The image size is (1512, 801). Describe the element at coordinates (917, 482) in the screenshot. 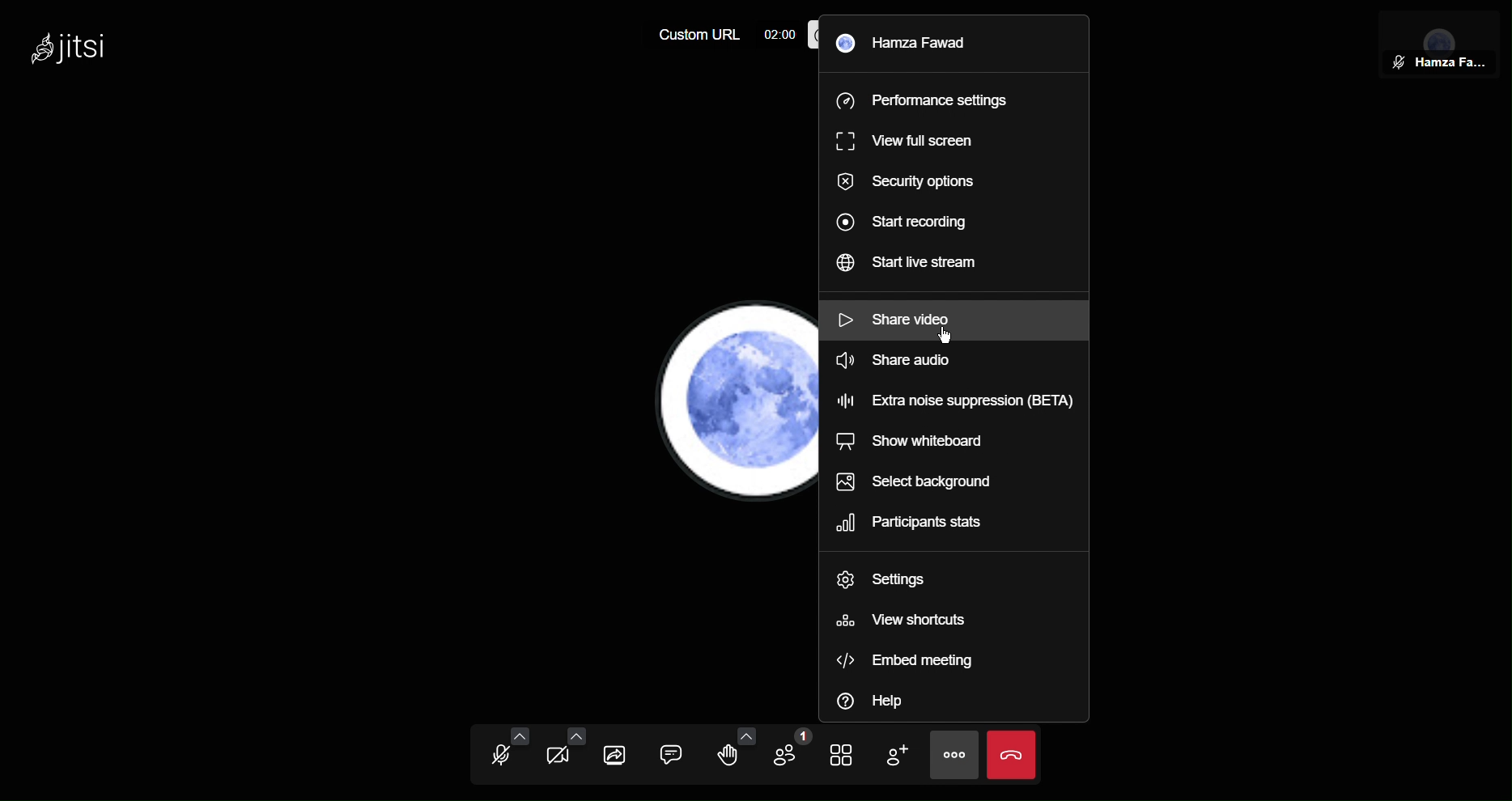

I see `Select background` at that location.